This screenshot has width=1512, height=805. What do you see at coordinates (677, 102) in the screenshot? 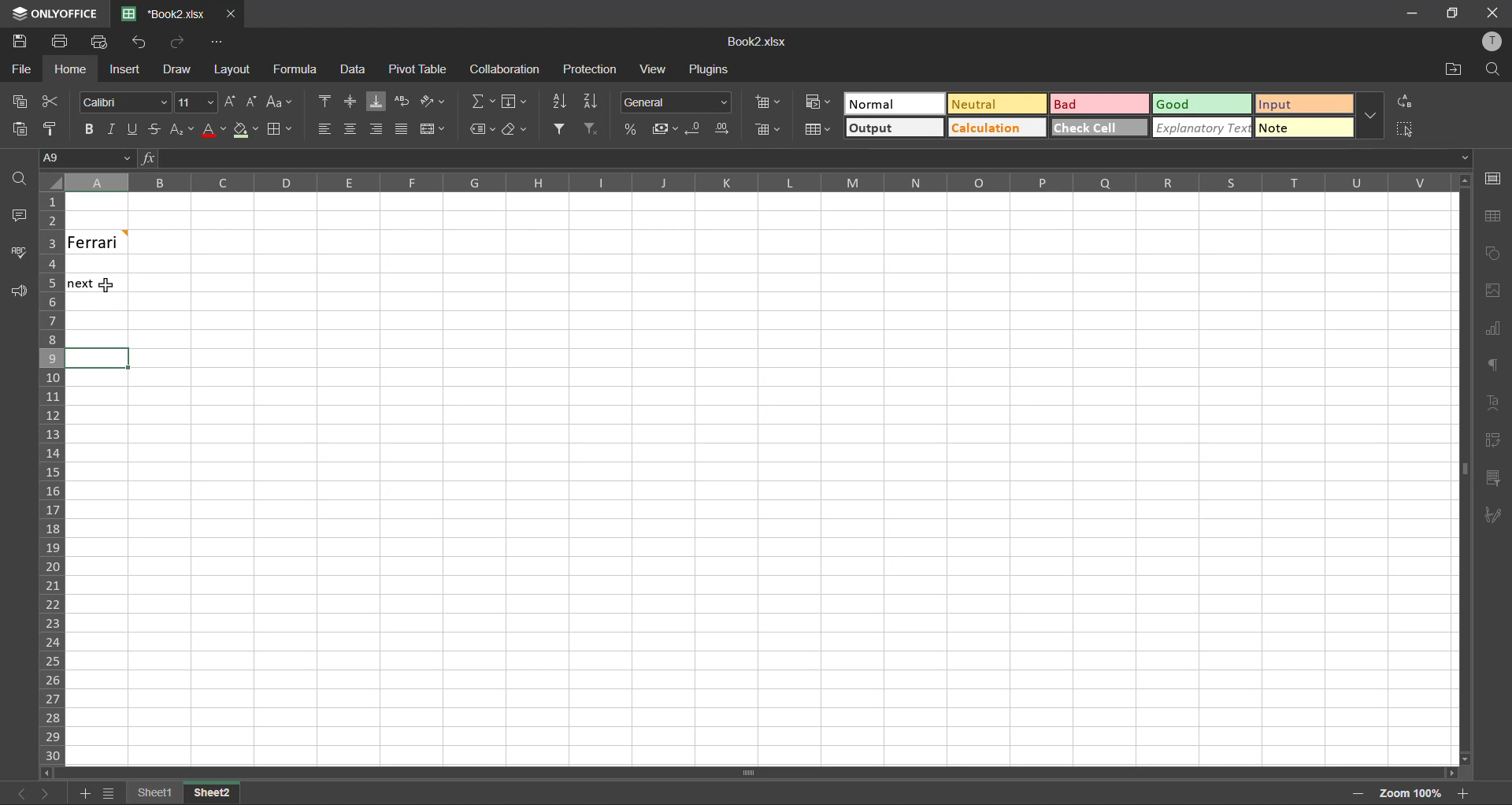
I see `number format` at bounding box center [677, 102].